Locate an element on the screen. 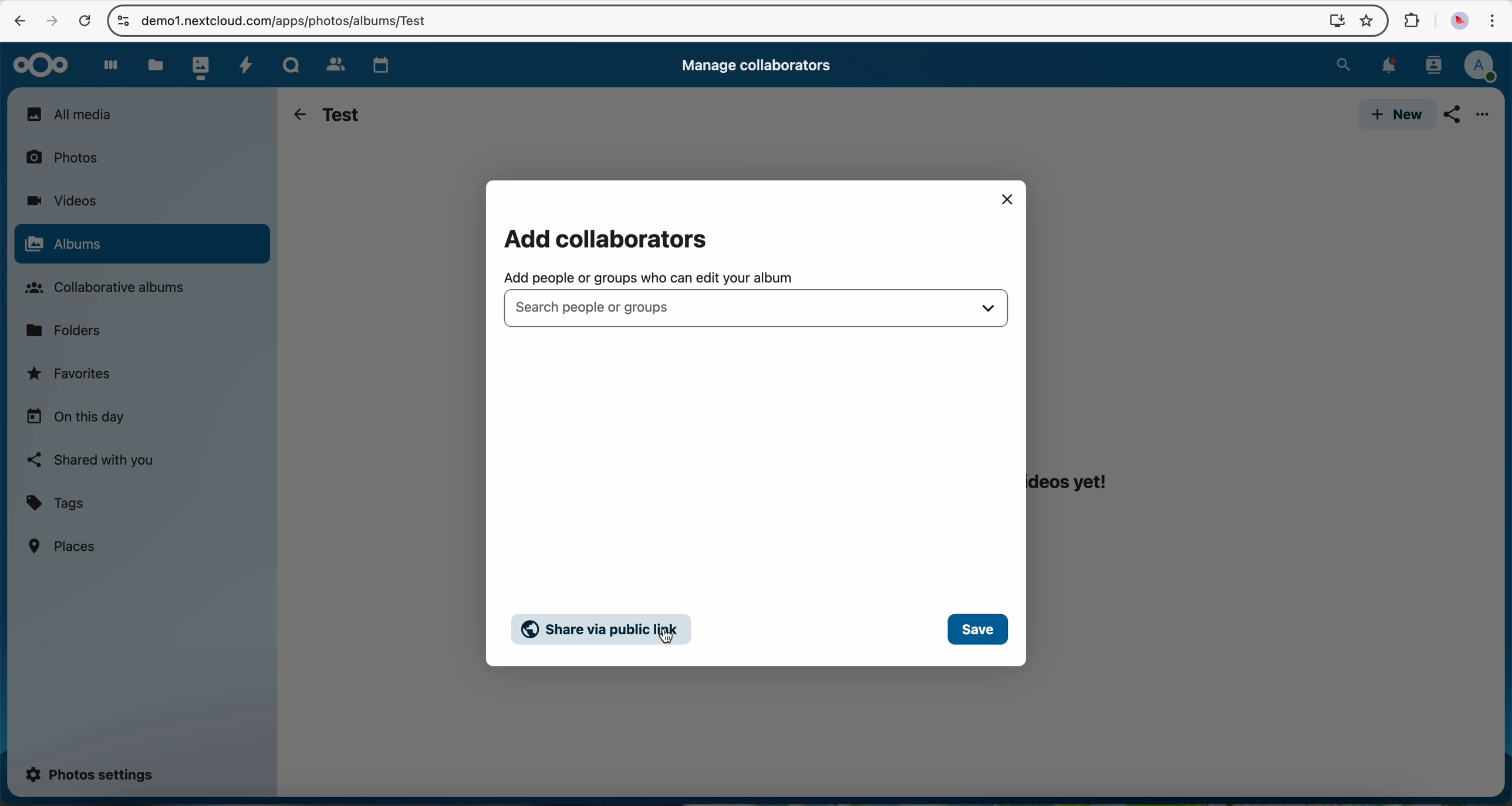 This screenshot has height=806, width=1512. add people or groups who can edit your album is located at coordinates (649, 277).